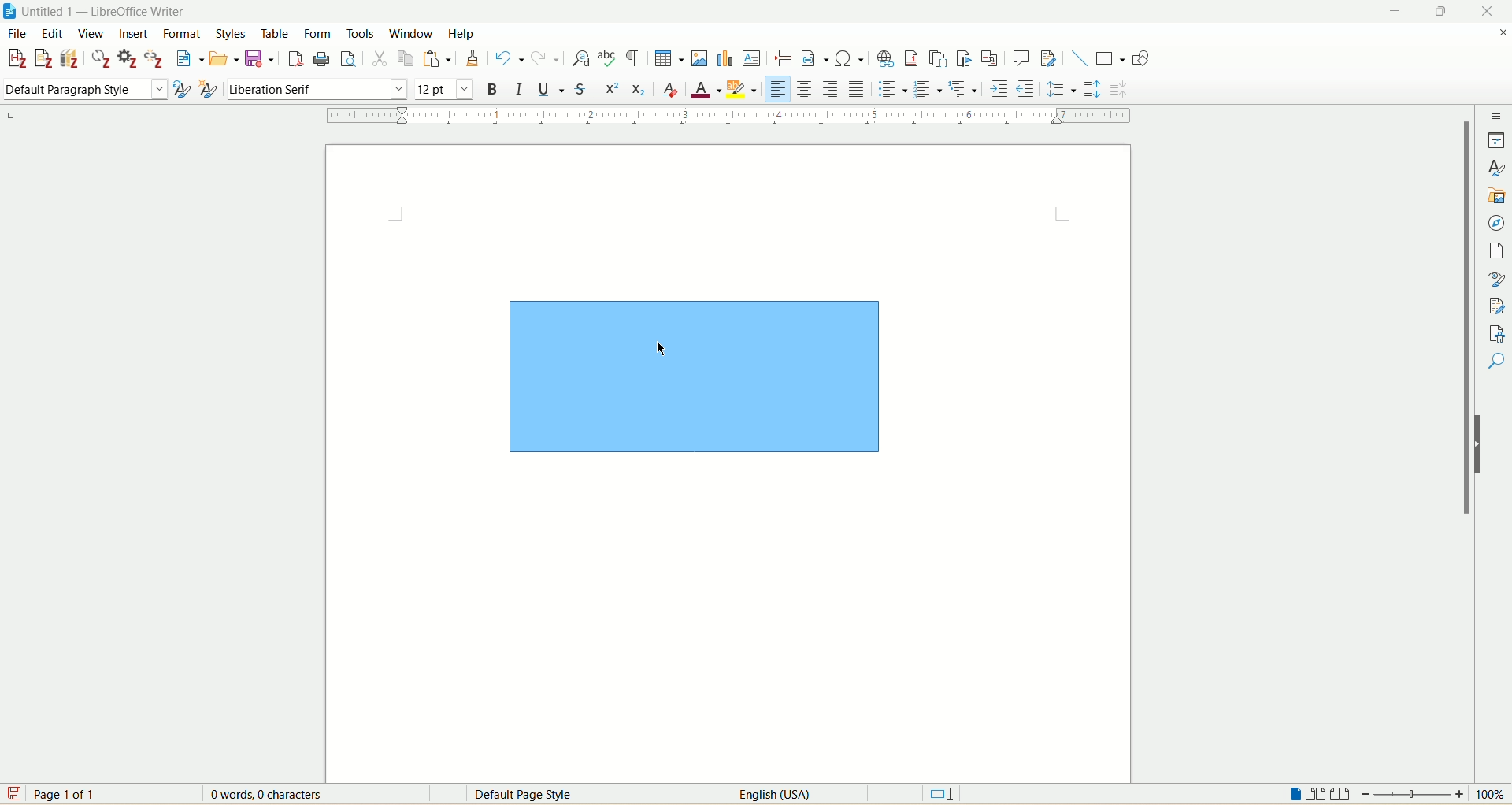 The height and width of the screenshot is (805, 1512). Describe the element at coordinates (580, 58) in the screenshot. I see `find and replace` at that location.